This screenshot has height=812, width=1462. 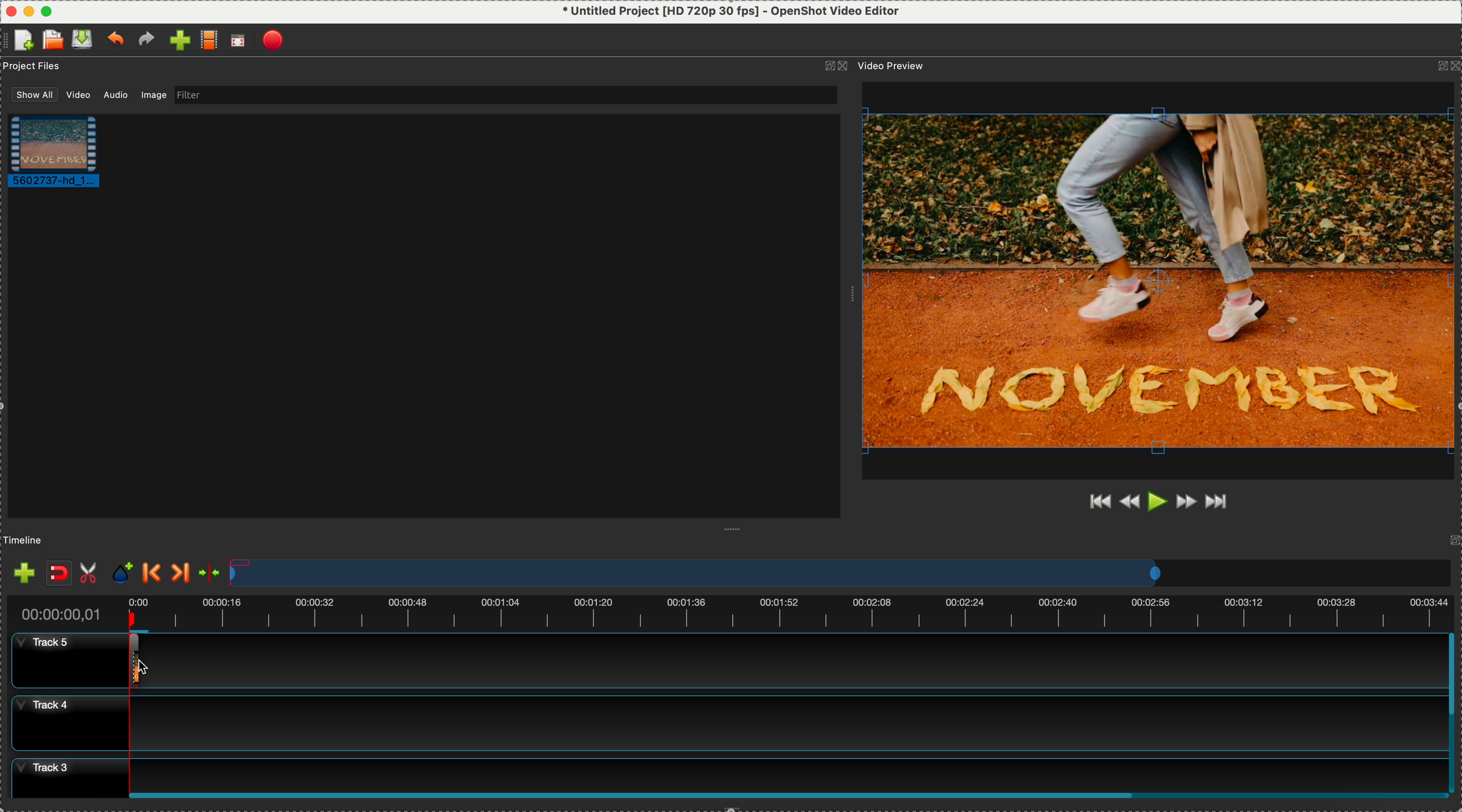 I want to click on save file, so click(x=83, y=39).